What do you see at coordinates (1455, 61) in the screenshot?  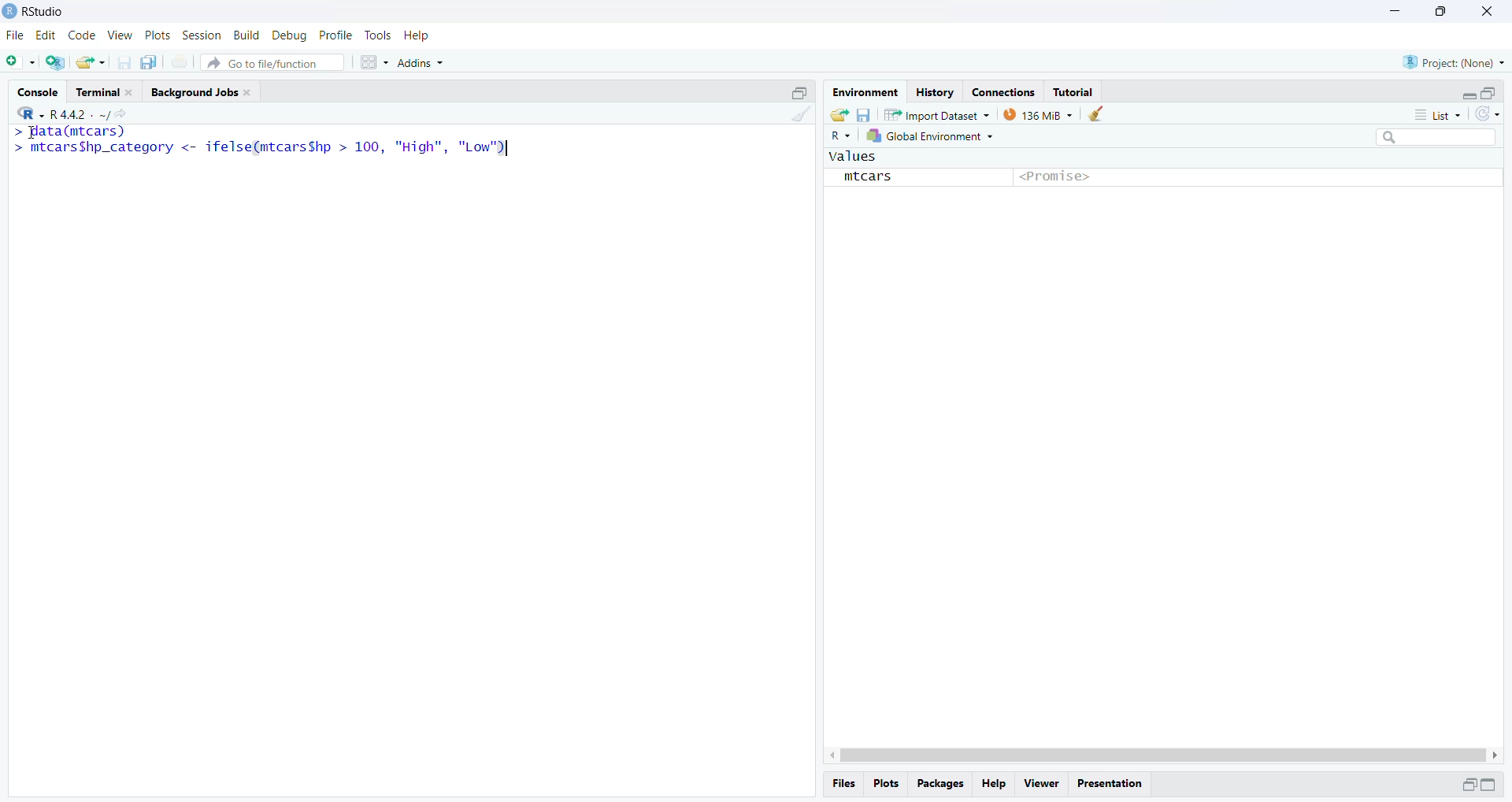 I see `Project (None)` at bounding box center [1455, 61].